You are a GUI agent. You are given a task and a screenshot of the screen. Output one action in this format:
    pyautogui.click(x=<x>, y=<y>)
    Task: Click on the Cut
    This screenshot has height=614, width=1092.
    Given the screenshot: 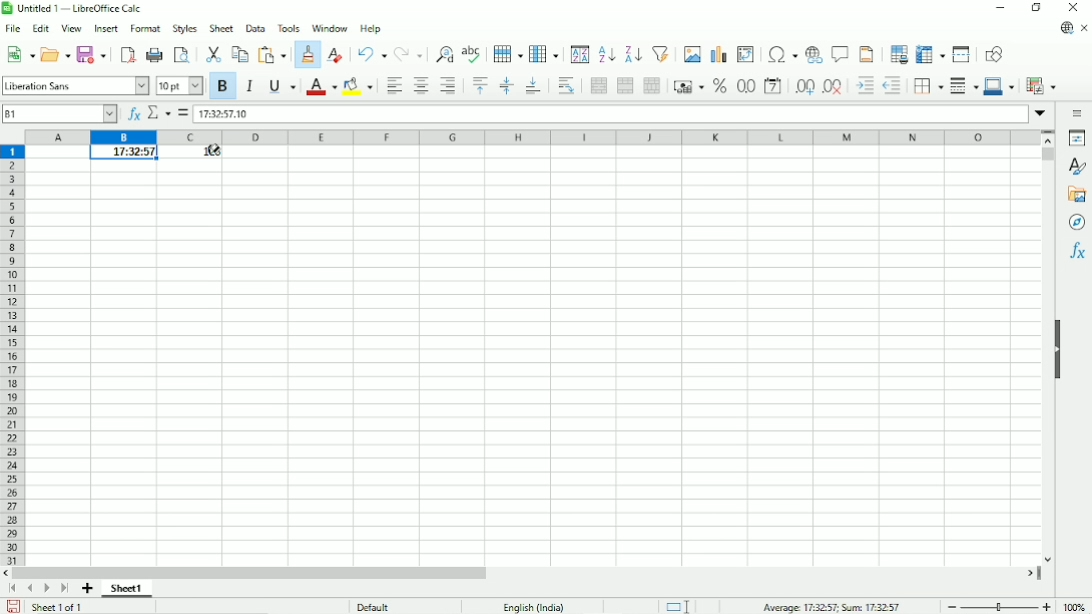 What is the action you would take?
    pyautogui.click(x=214, y=54)
    